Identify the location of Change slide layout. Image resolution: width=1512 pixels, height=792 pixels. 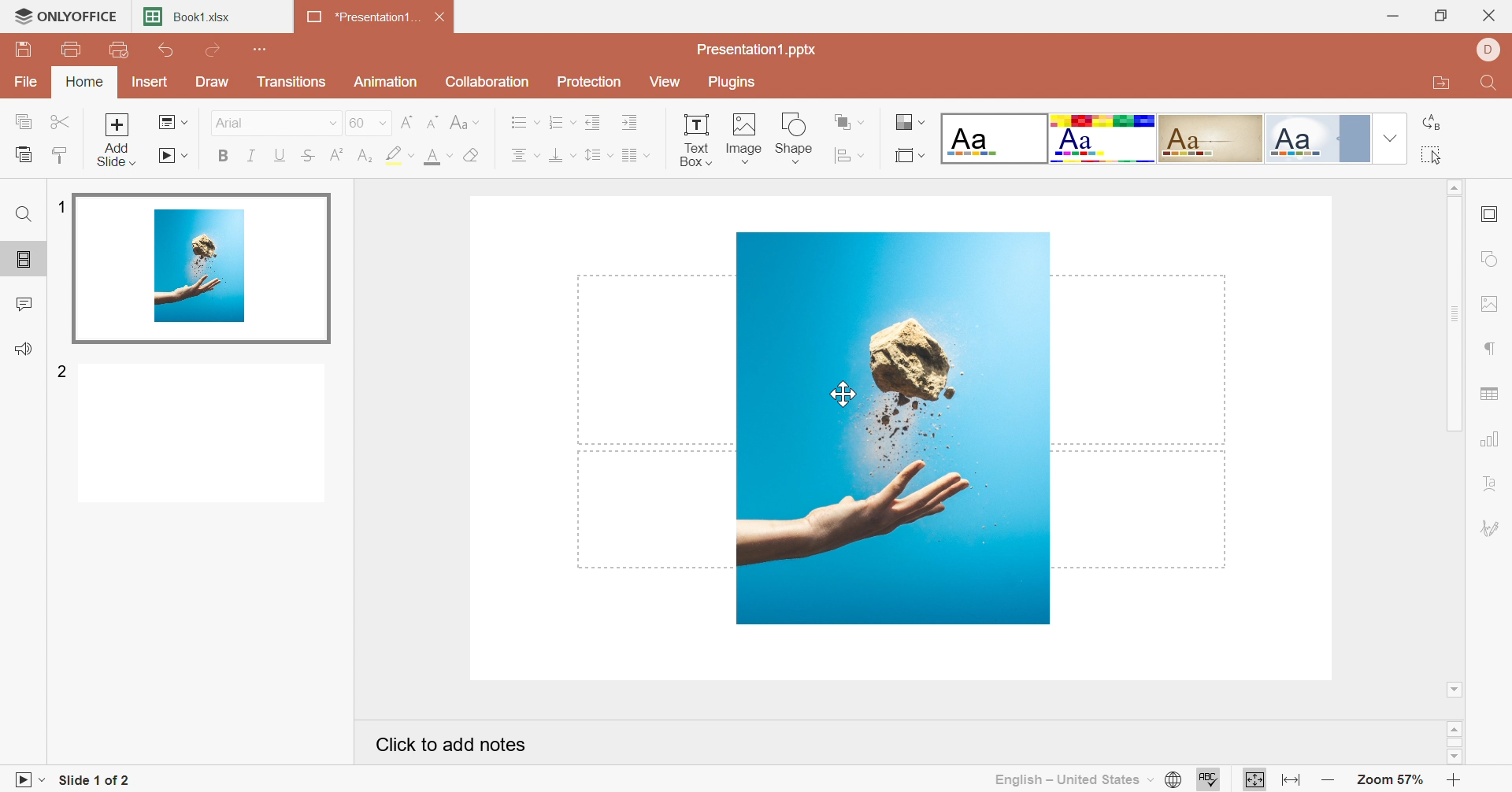
(173, 121).